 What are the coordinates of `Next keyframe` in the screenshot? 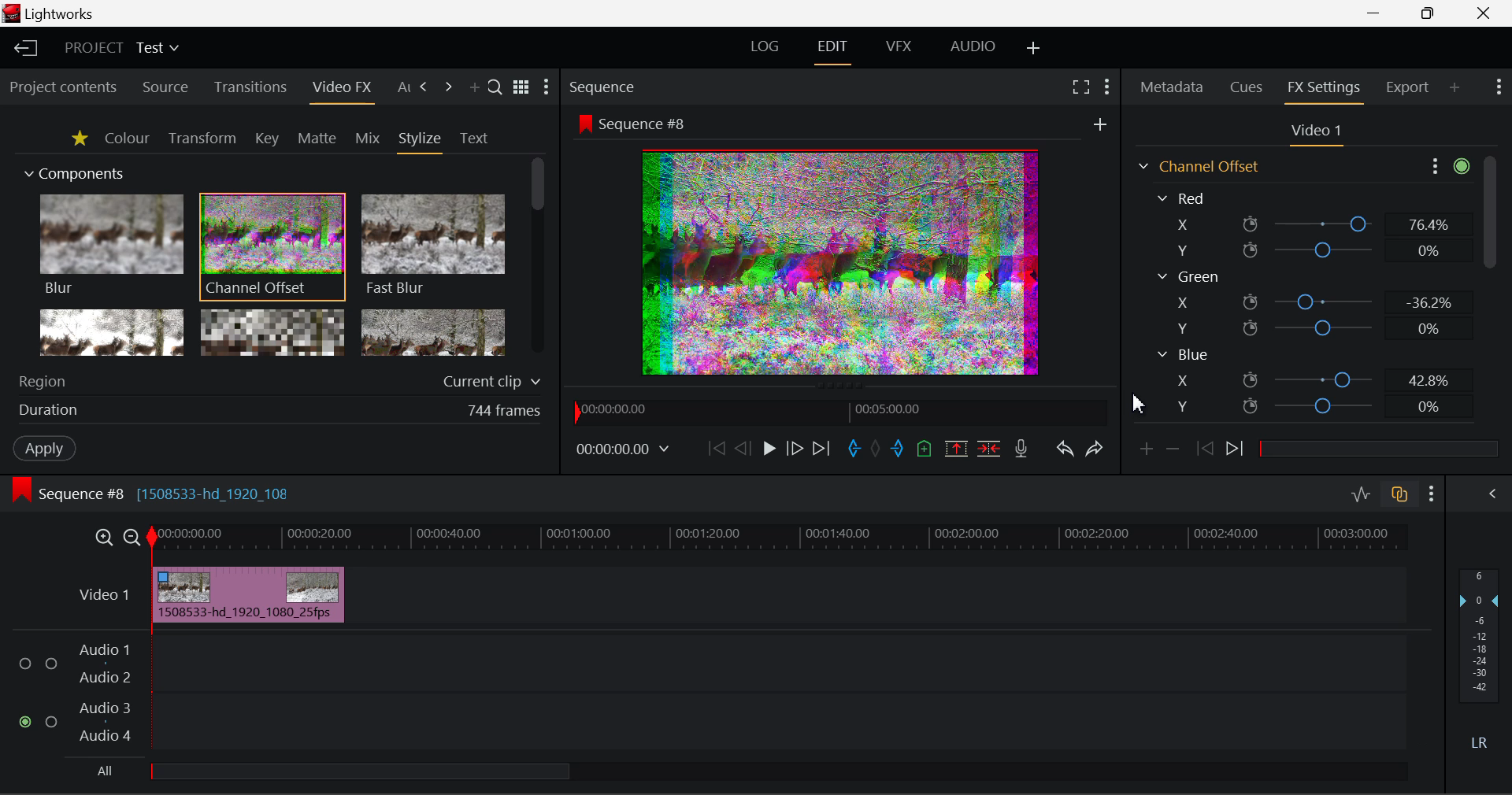 It's located at (1237, 451).